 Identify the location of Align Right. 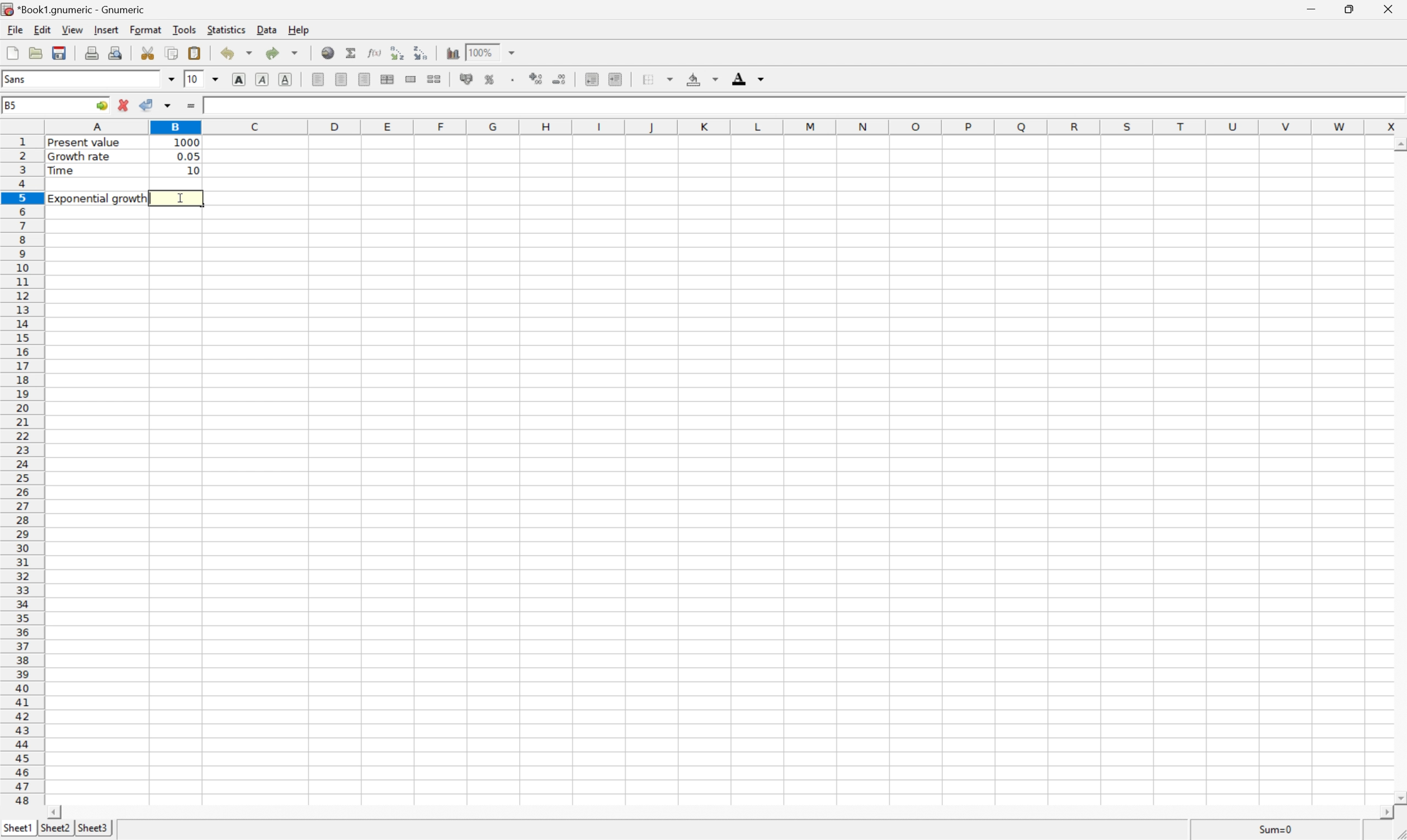
(366, 79).